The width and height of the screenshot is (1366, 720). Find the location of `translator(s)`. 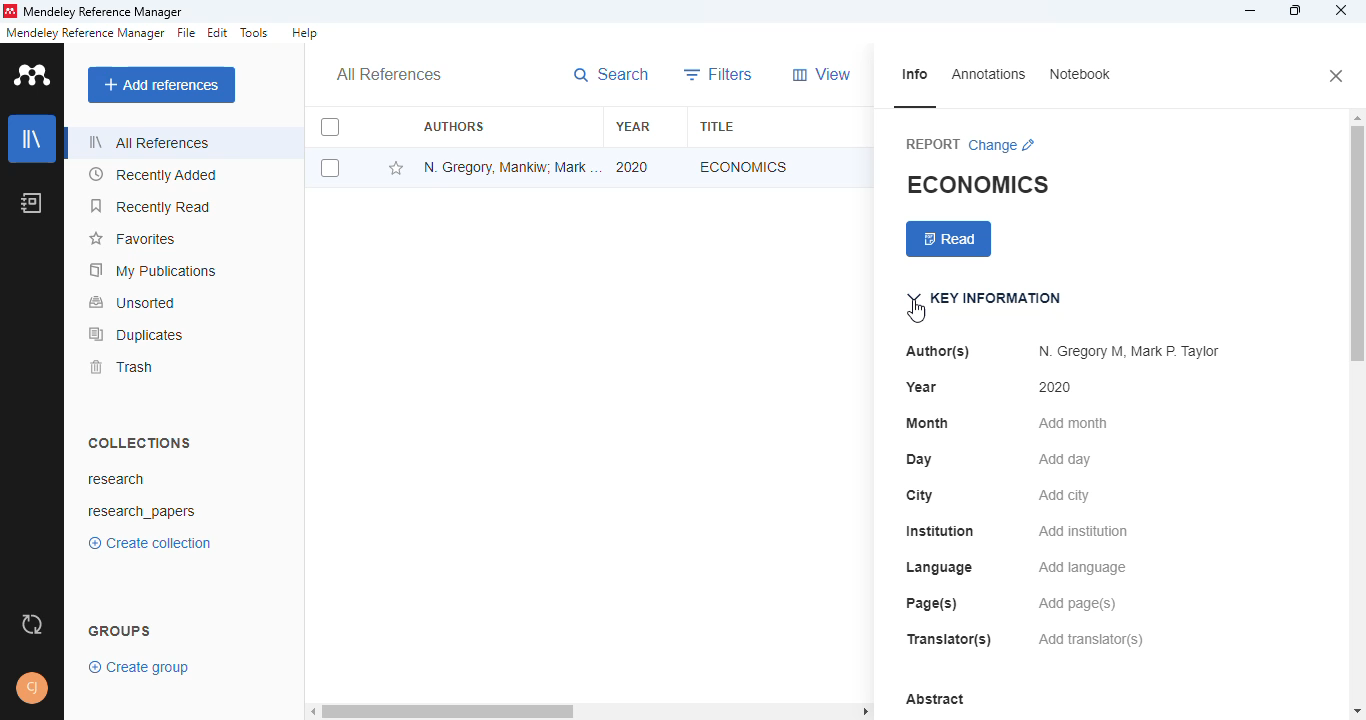

translator(s) is located at coordinates (949, 640).